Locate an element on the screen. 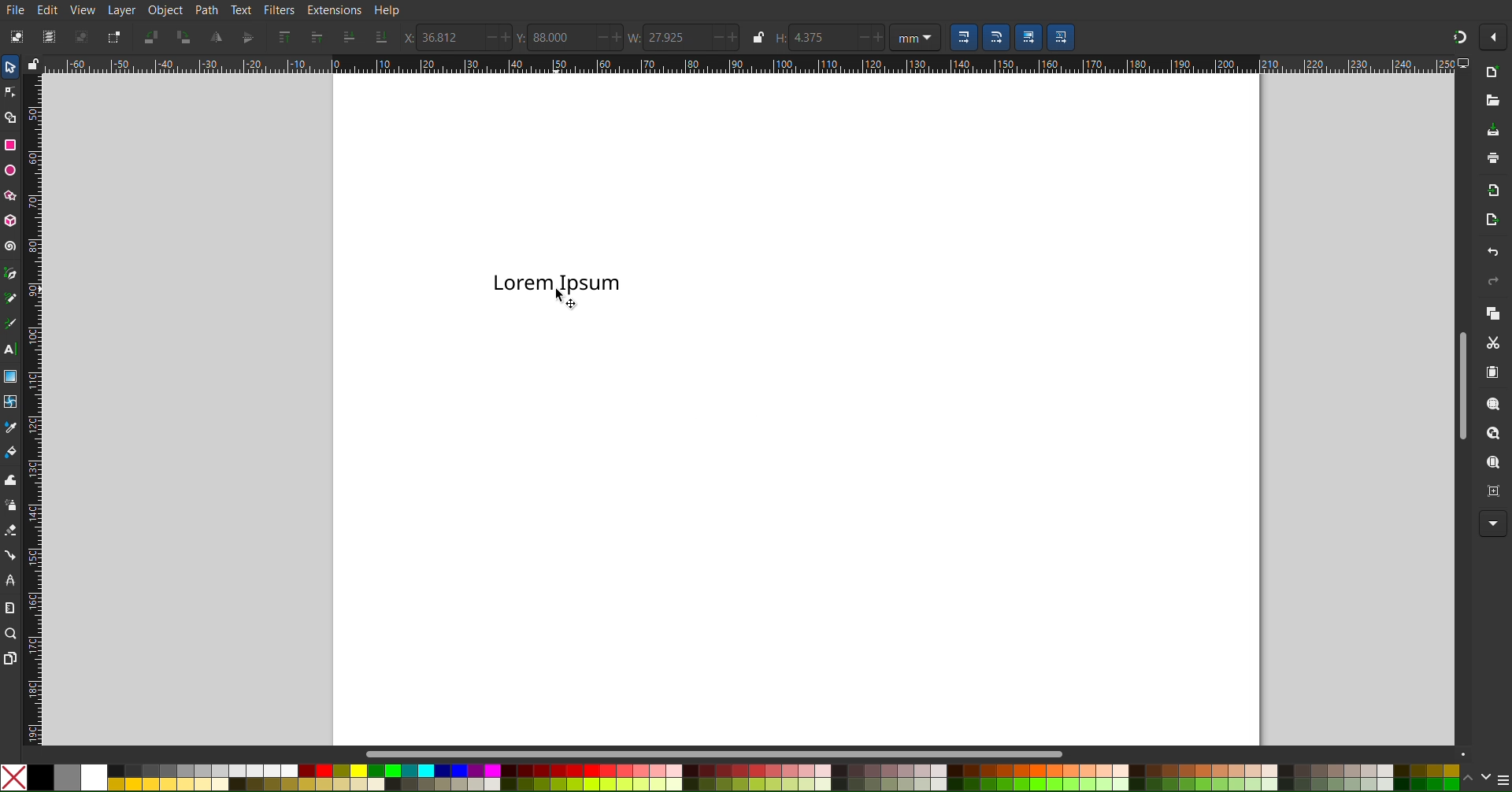 This screenshot has width=1512, height=792. increase/decrease is located at coordinates (871, 35).